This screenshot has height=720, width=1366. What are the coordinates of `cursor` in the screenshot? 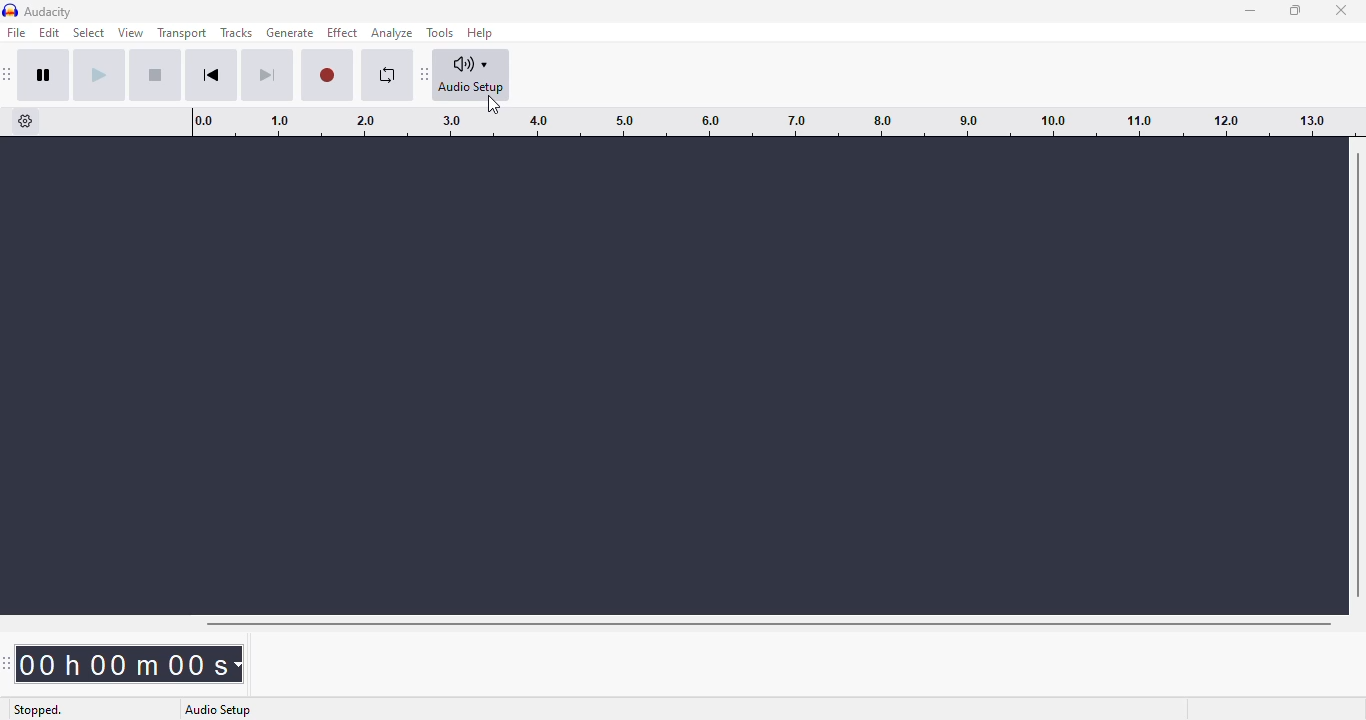 It's located at (493, 106).